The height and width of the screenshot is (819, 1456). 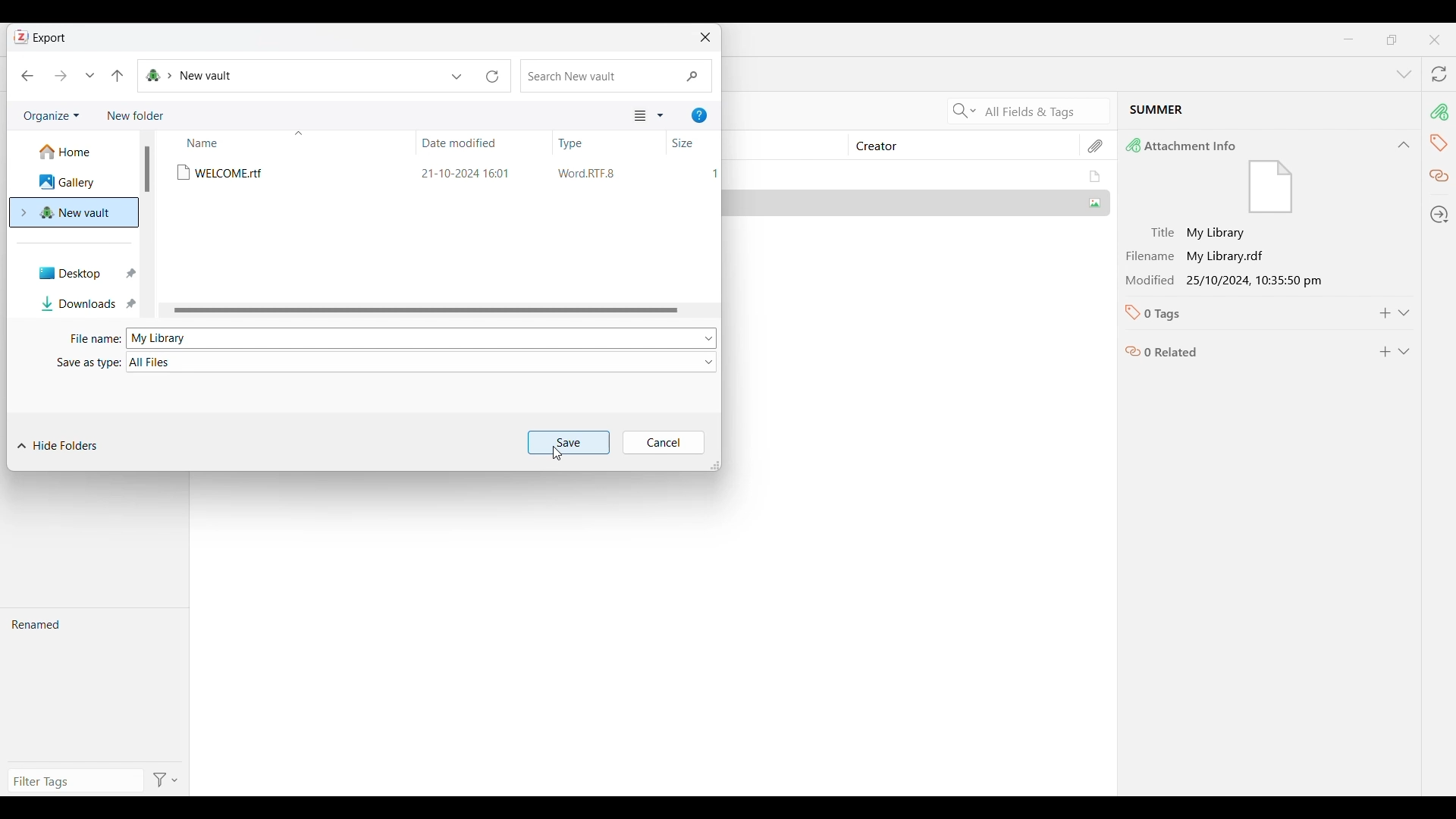 I want to click on New vault , so click(x=73, y=212).